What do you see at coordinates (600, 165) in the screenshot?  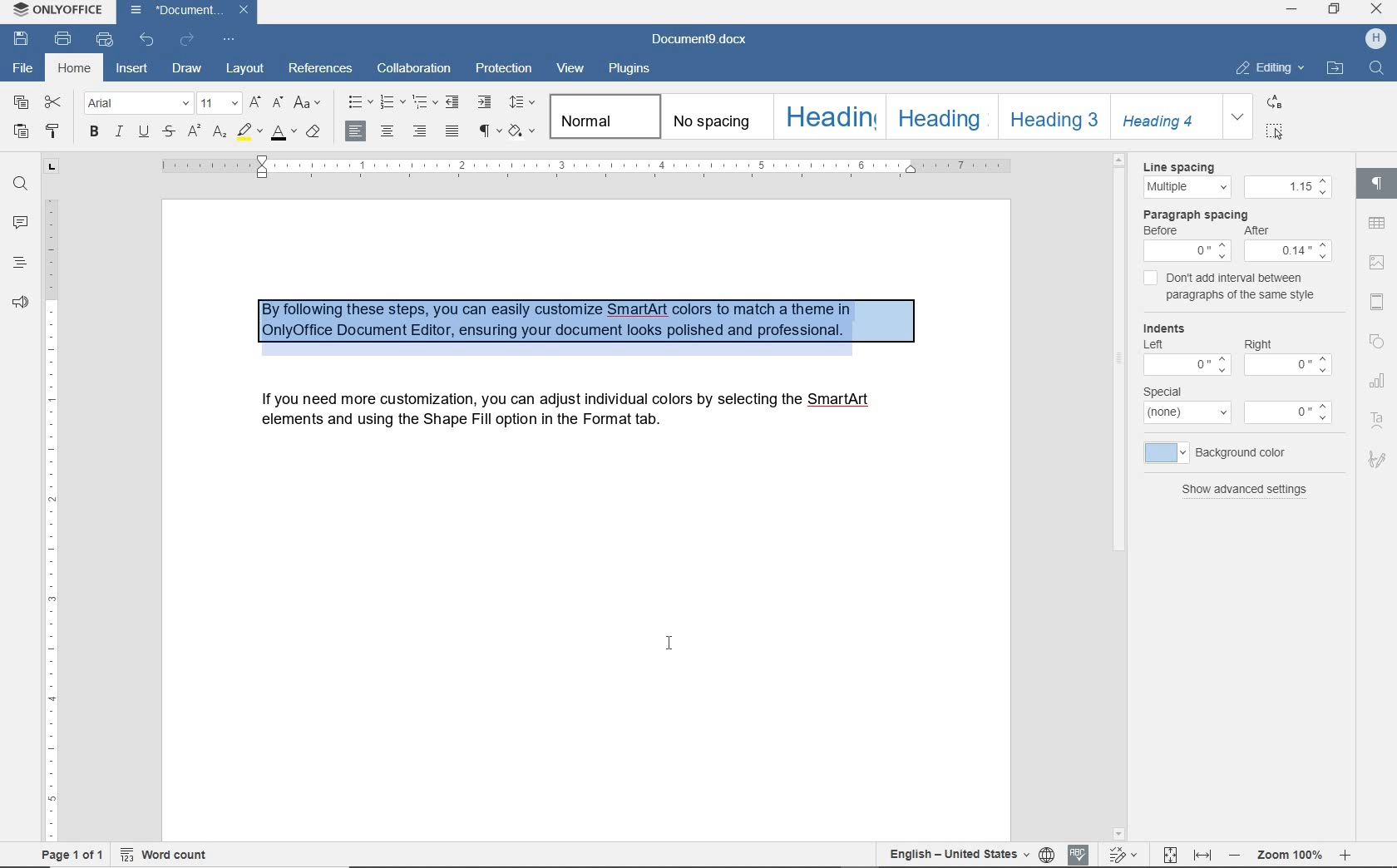 I see `ruler` at bounding box center [600, 165].